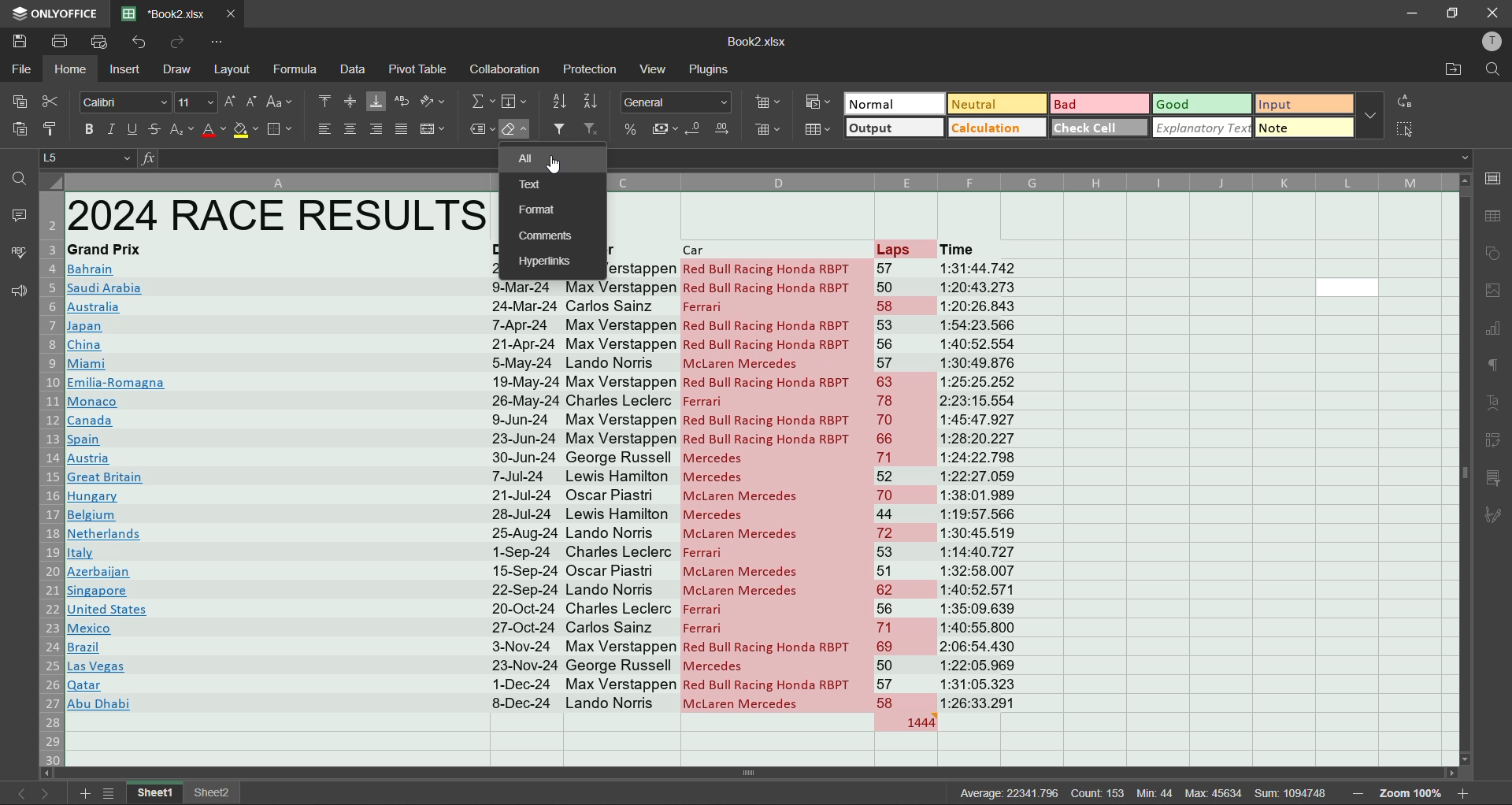 The image size is (1512, 805). I want to click on file, so click(23, 70).